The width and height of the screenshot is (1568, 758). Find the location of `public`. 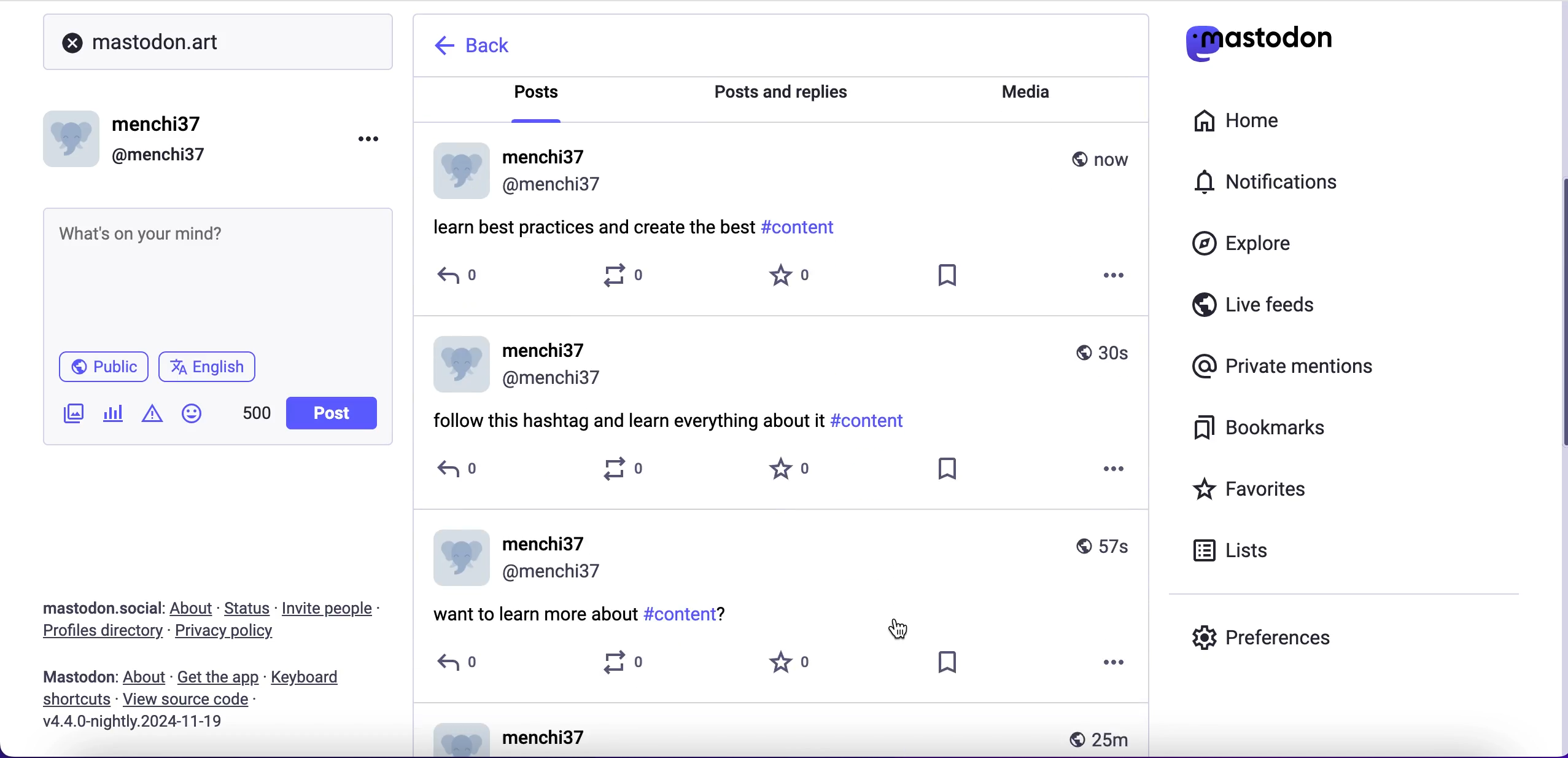

public is located at coordinates (102, 369).